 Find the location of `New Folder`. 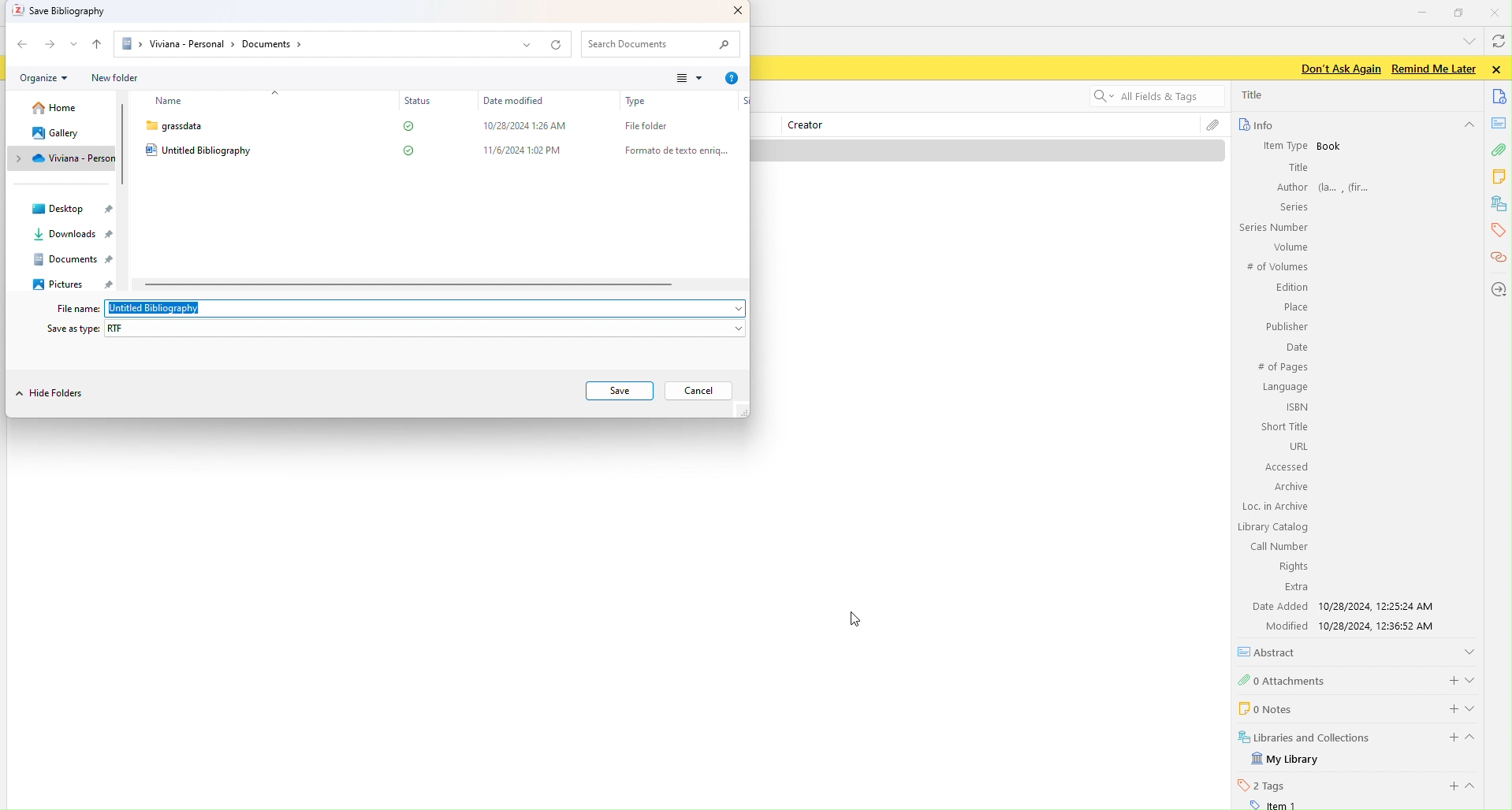

New Folder is located at coordinates (117, 78).